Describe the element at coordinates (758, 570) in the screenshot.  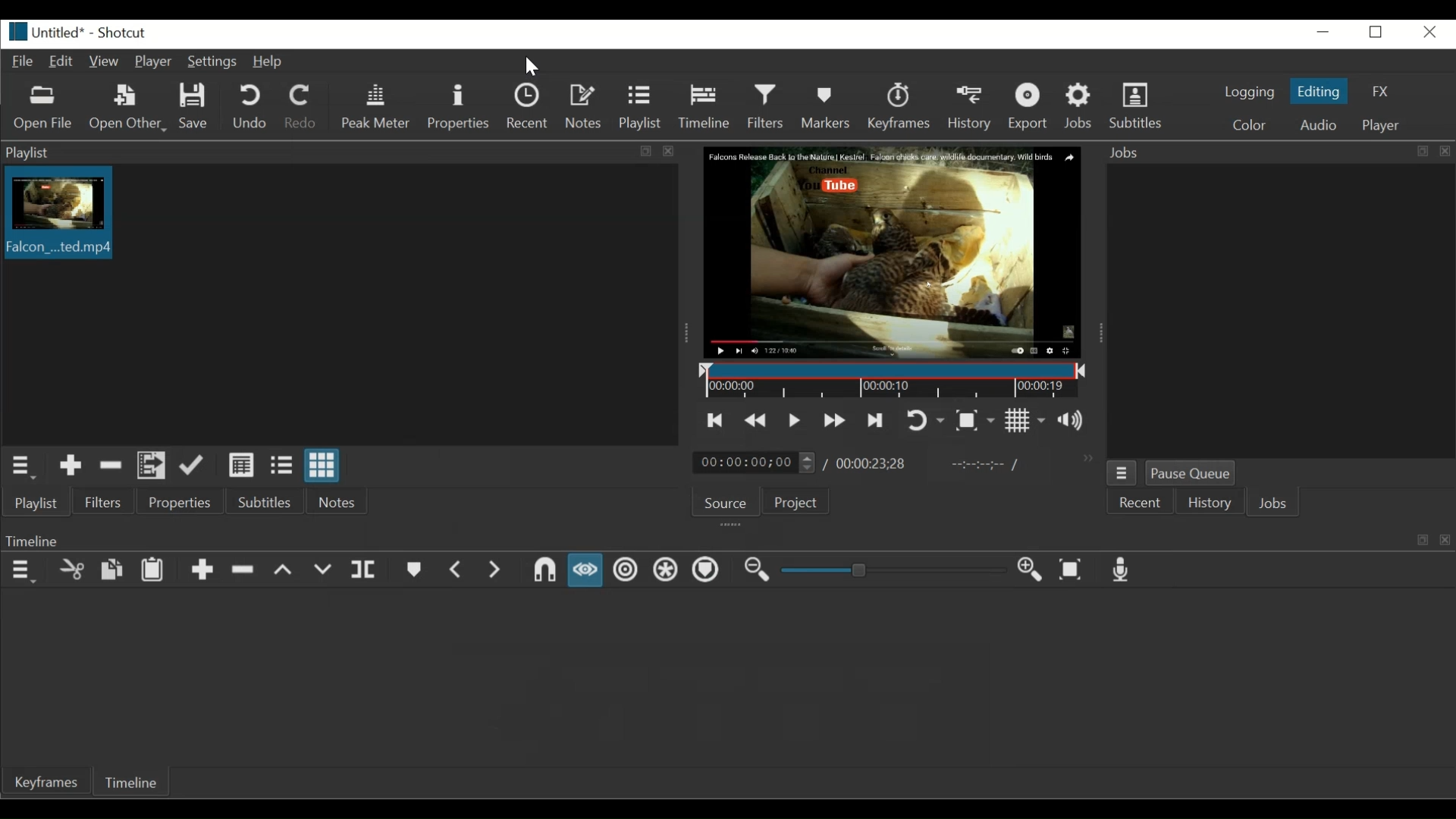
I see `Zoom timeline out` at that location.